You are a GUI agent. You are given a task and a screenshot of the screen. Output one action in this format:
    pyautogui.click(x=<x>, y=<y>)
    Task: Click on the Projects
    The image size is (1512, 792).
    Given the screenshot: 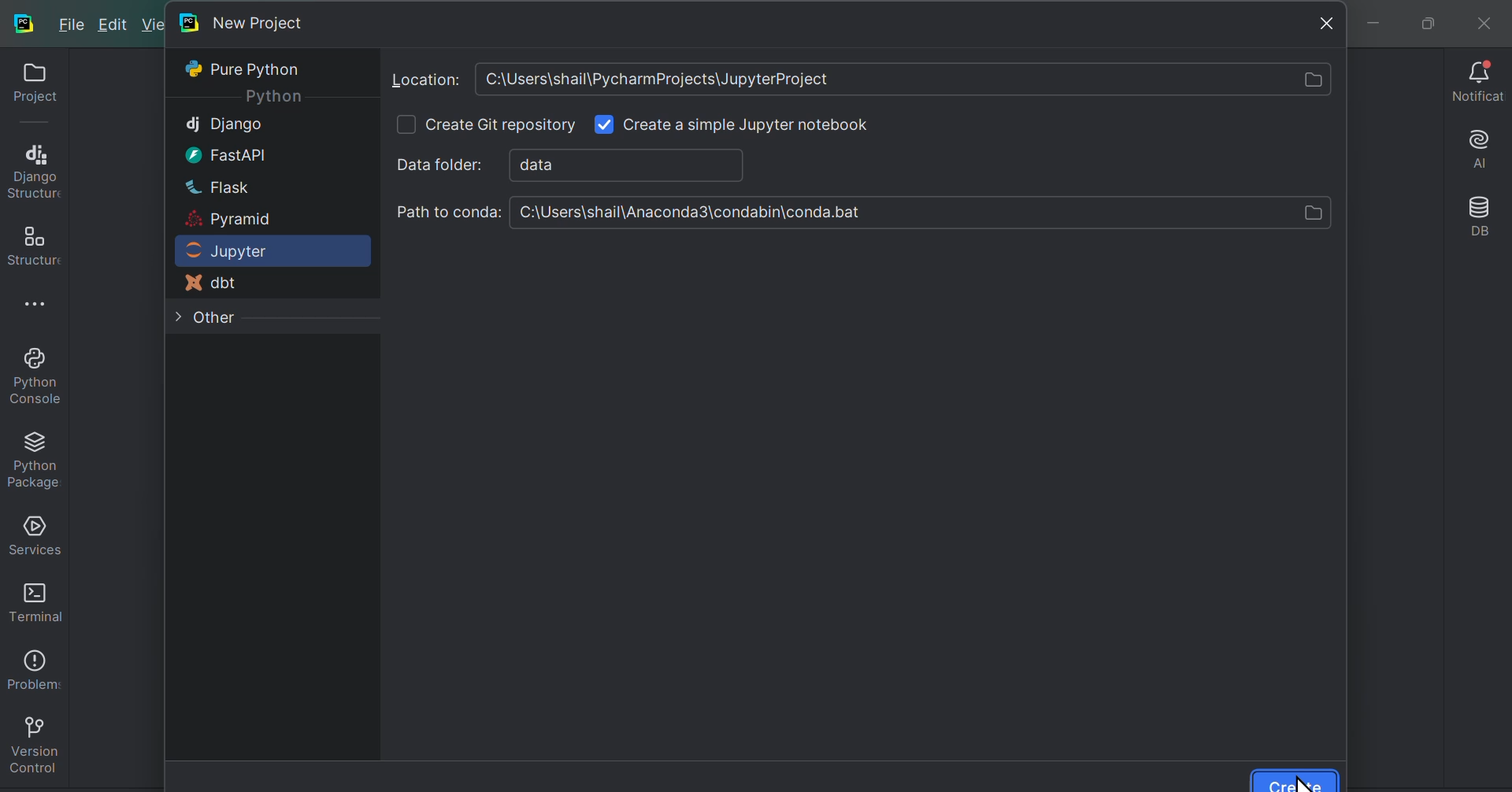 What is the action you would take?
    pyautogui.click(x=29, y=87)
    